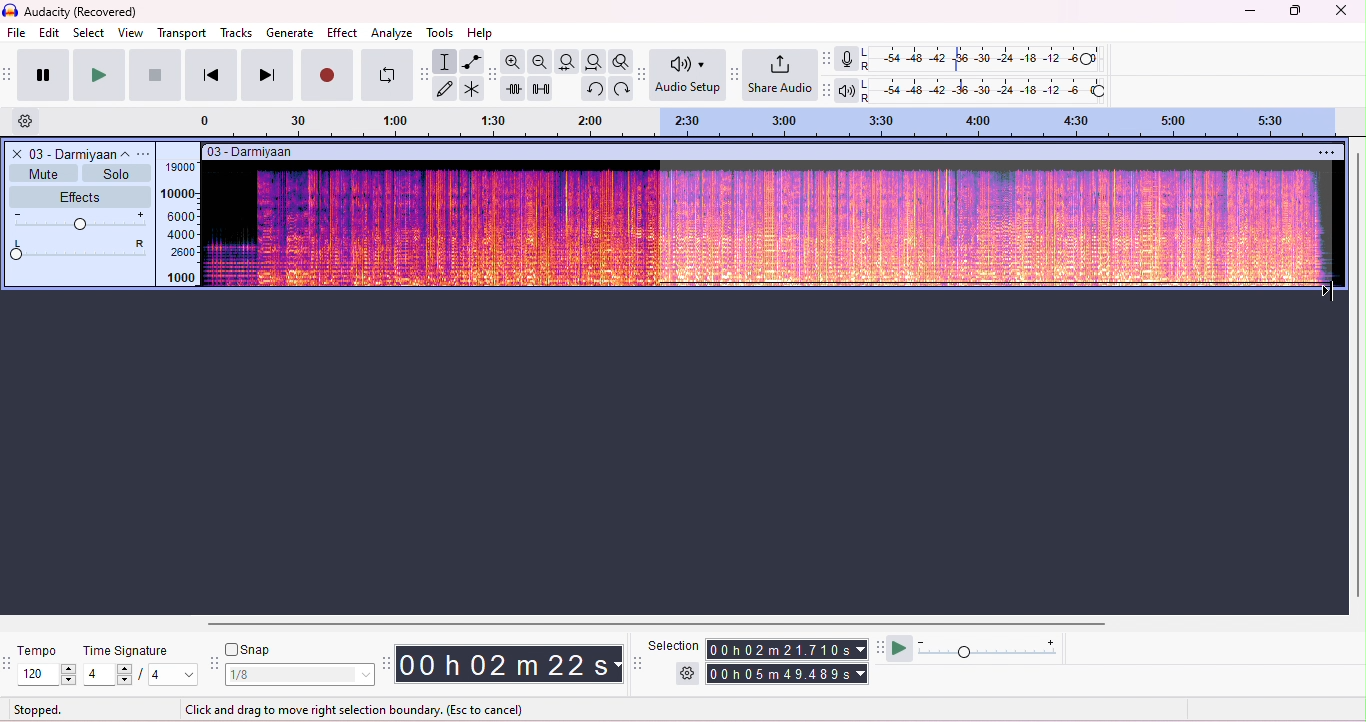 The height and width of the screenshot is (722, 1366). What do you see at coordinates (902, 649) in the screenshot?
I see `play at speed/ play at speed once` at bounding box center [902, 649].